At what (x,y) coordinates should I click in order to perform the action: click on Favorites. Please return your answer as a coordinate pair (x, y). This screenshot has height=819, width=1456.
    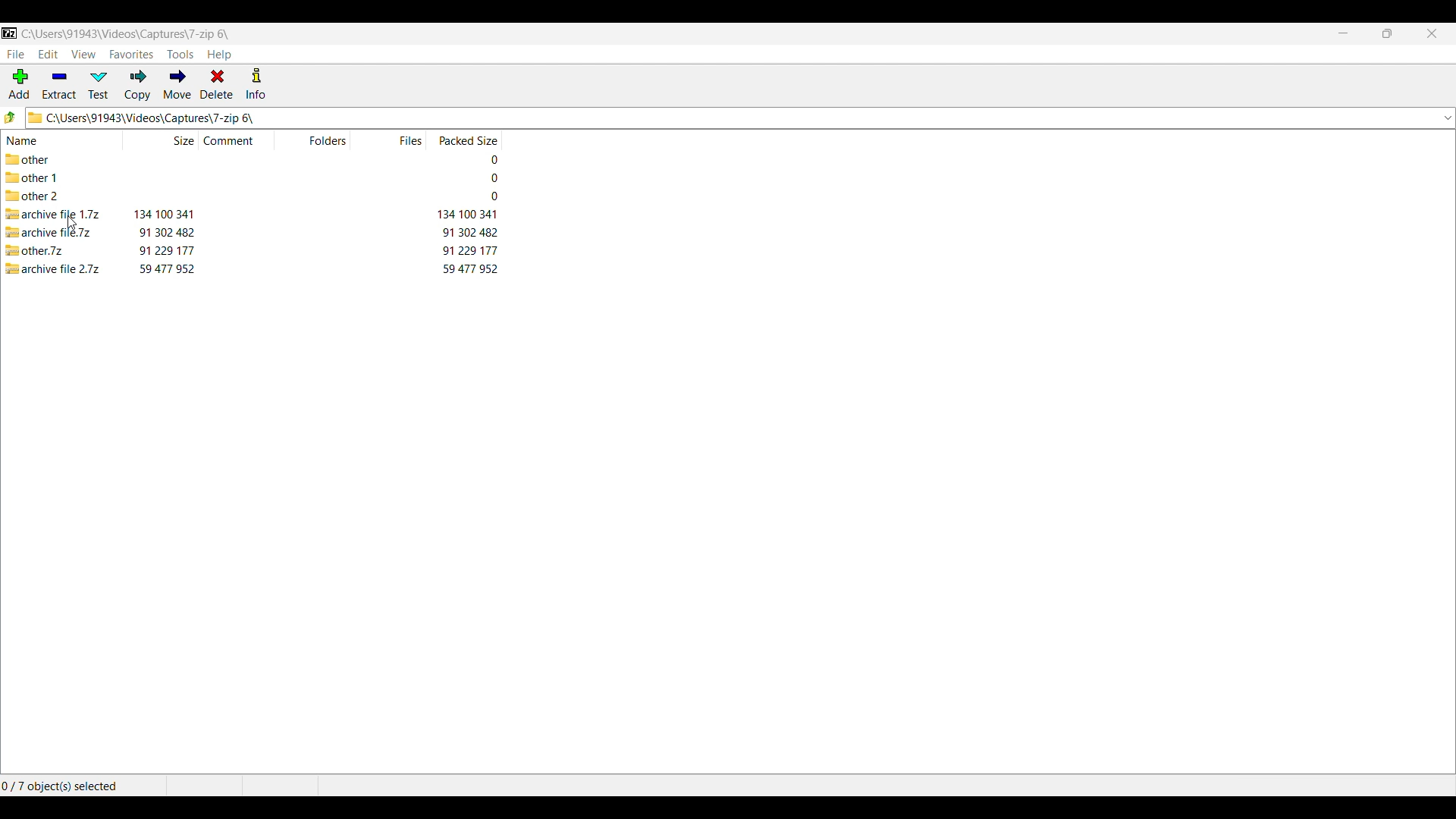
    Looking at the image, I should click on (131, 55).